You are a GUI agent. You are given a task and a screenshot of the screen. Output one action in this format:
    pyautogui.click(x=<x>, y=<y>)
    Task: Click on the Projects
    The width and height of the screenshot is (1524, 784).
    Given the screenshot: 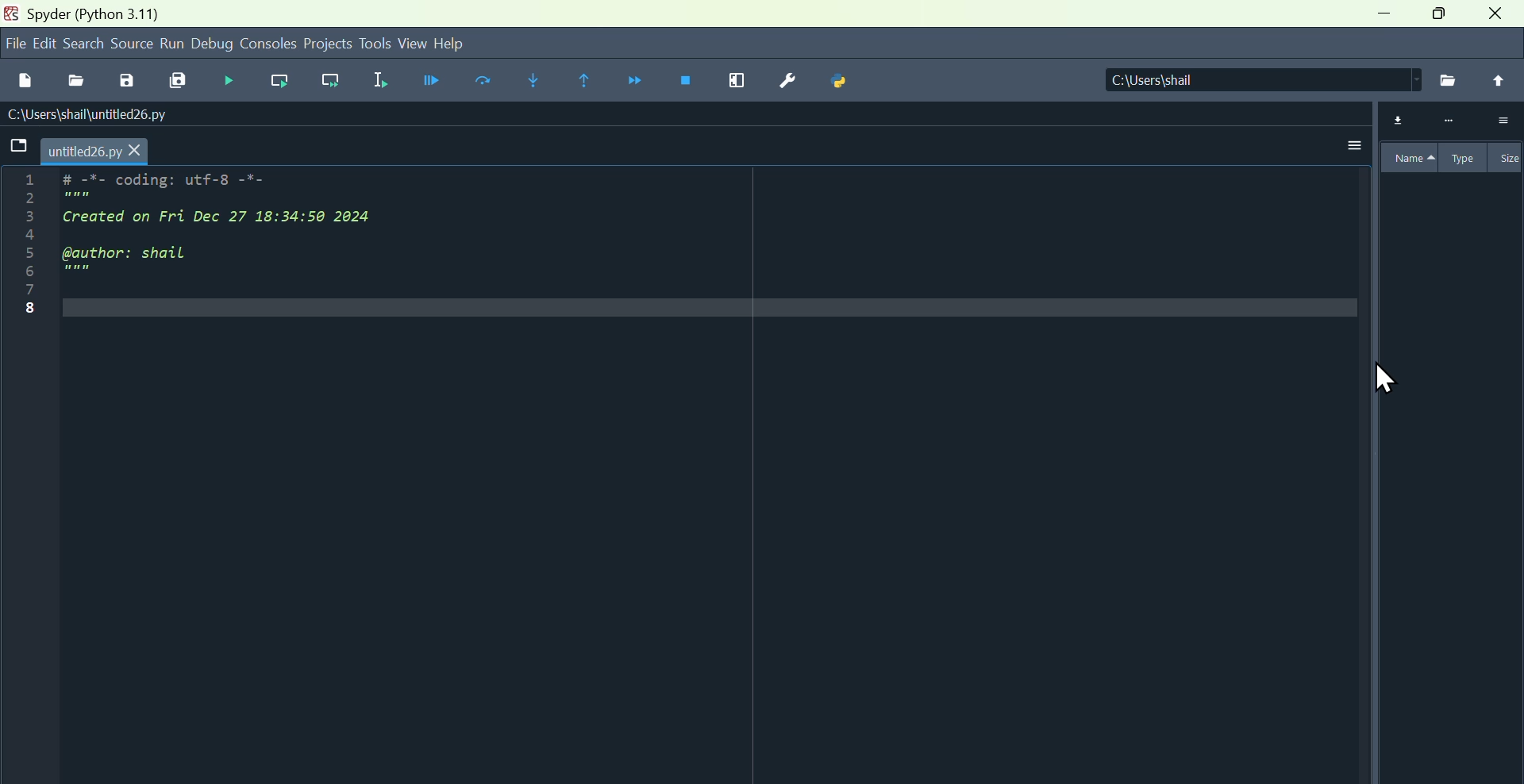 What is the action you would take?
    pyautogui.click(x=329, y=42)
    